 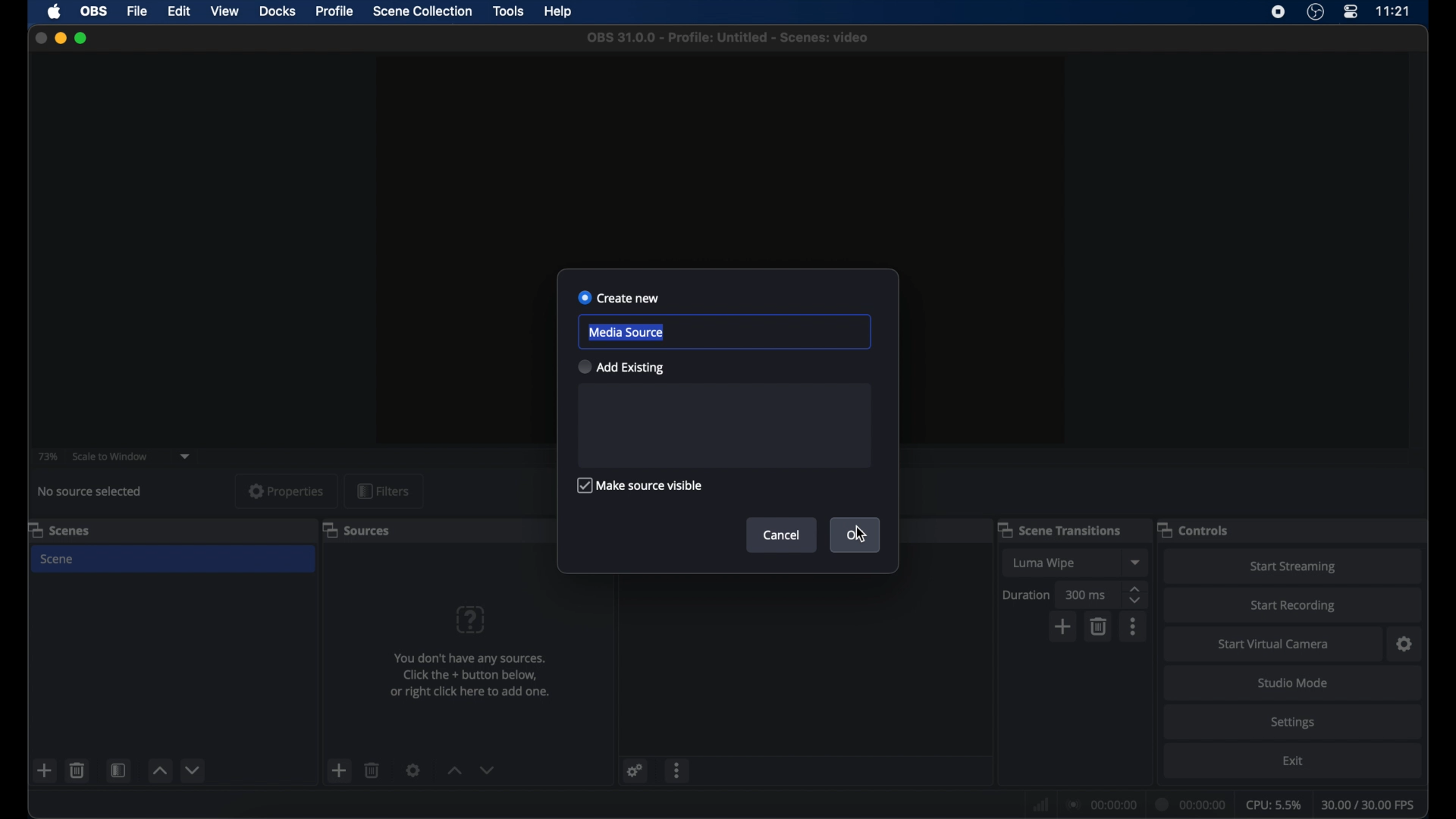 What do you see at coordinates (782, 535) in the screenshot?
I see `cancel` at bounding box center [782, 535].